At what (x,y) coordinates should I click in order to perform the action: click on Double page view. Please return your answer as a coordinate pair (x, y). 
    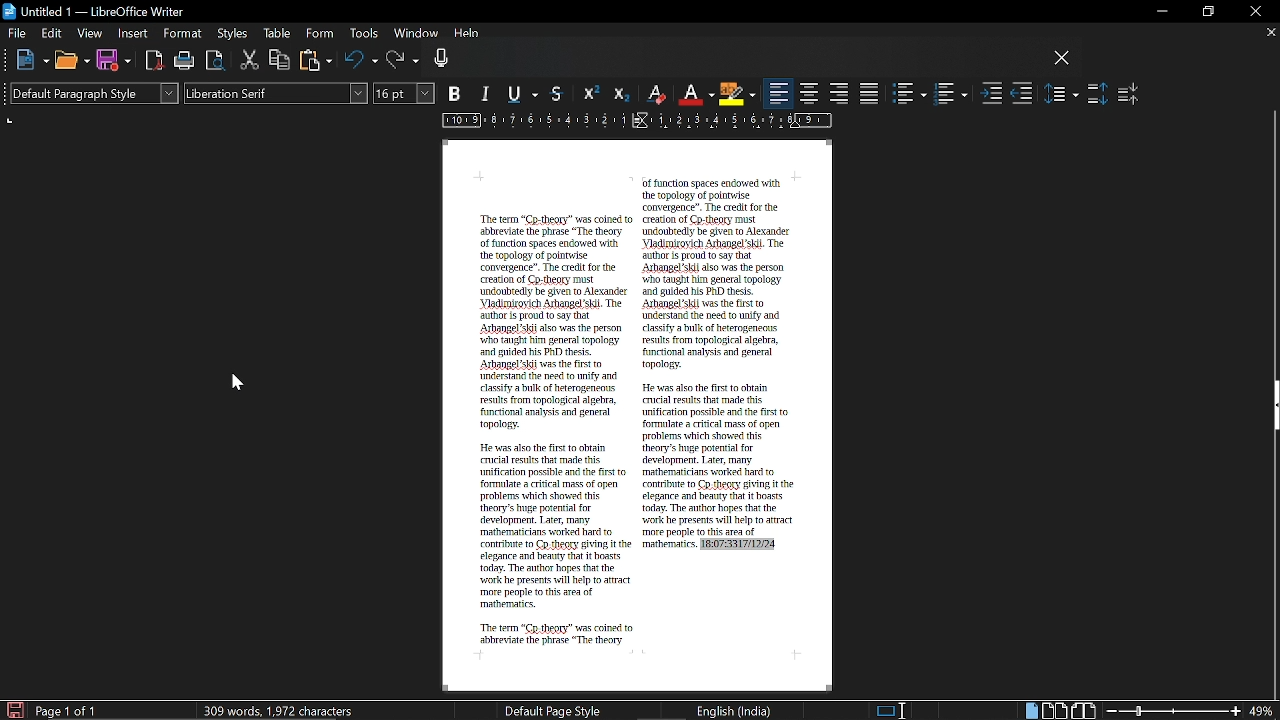
    Looking at the image, I should click on (1056, 710).